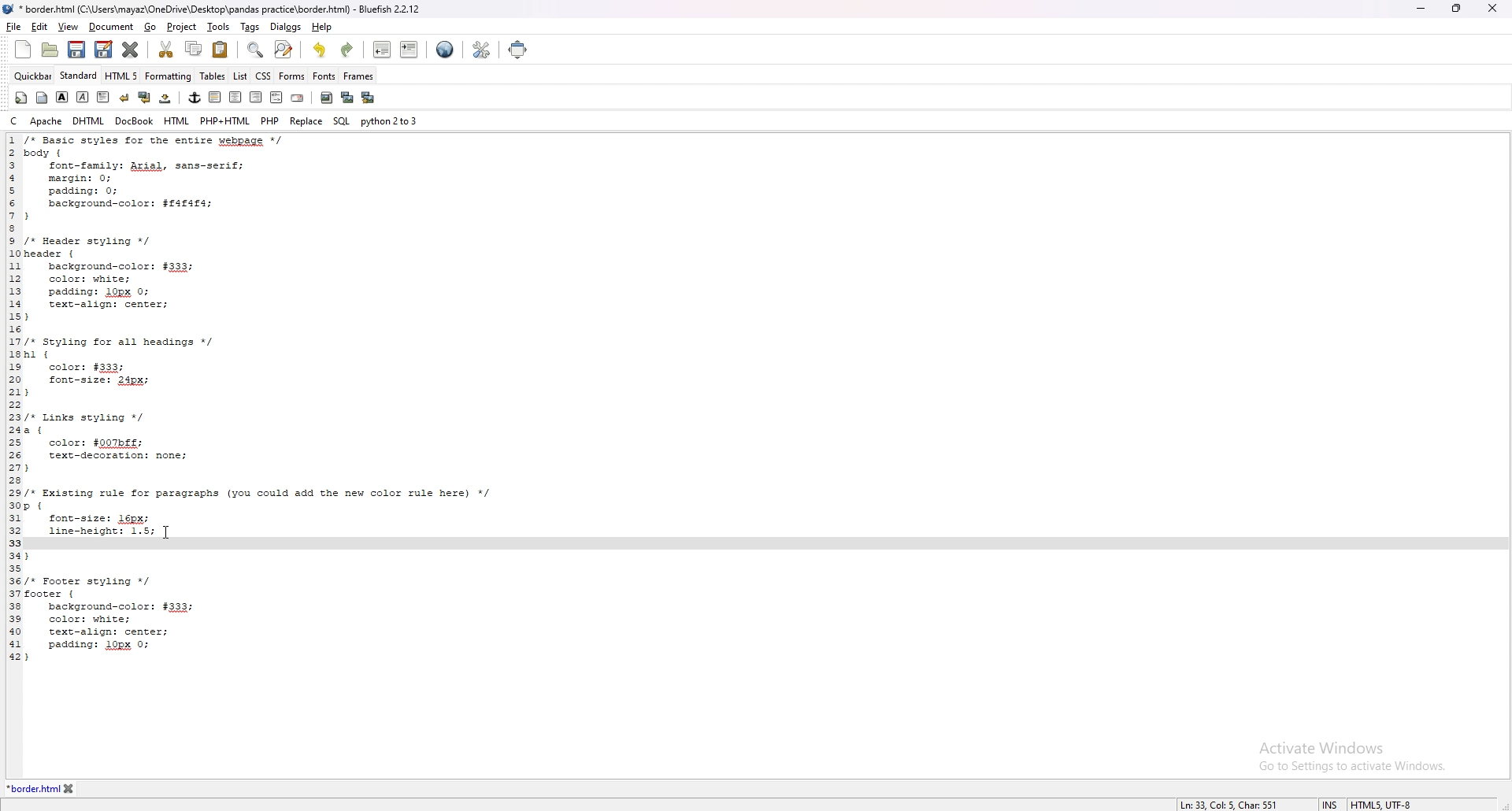 The image size is (1512, 811). Describe the element at coordinates (1349, 760) in the screenshot. I see `Activate Windows Go to Settings to activate Windows` at that location.